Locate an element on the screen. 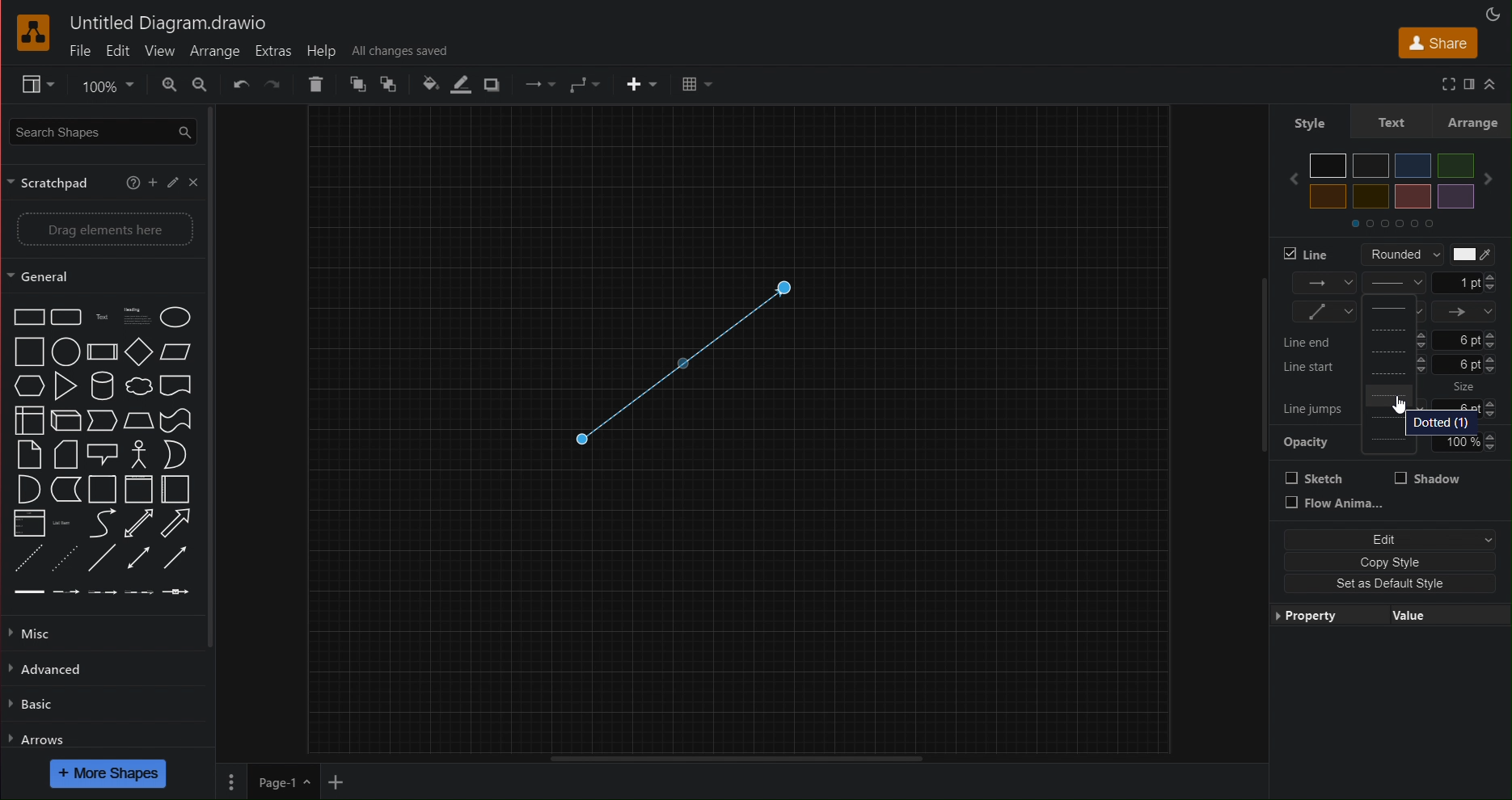 The image size is (1512, 800). Help is located at coordinates (324, 50).